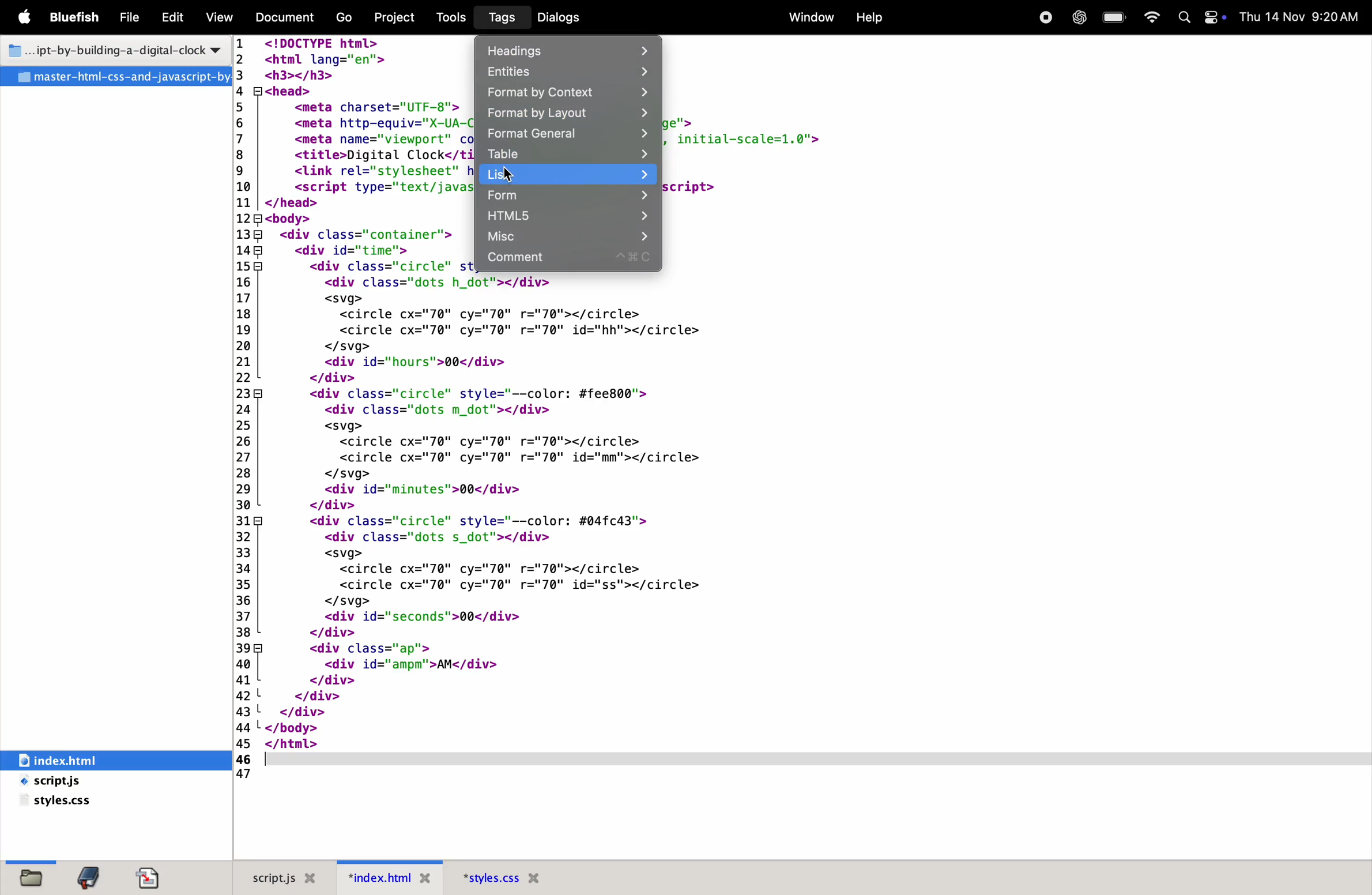 This screenshot has height=895, width=1372. What do you see at coordinates (346, 18) in the screenshot?
I see `Go` at bounding box center [346, 18].